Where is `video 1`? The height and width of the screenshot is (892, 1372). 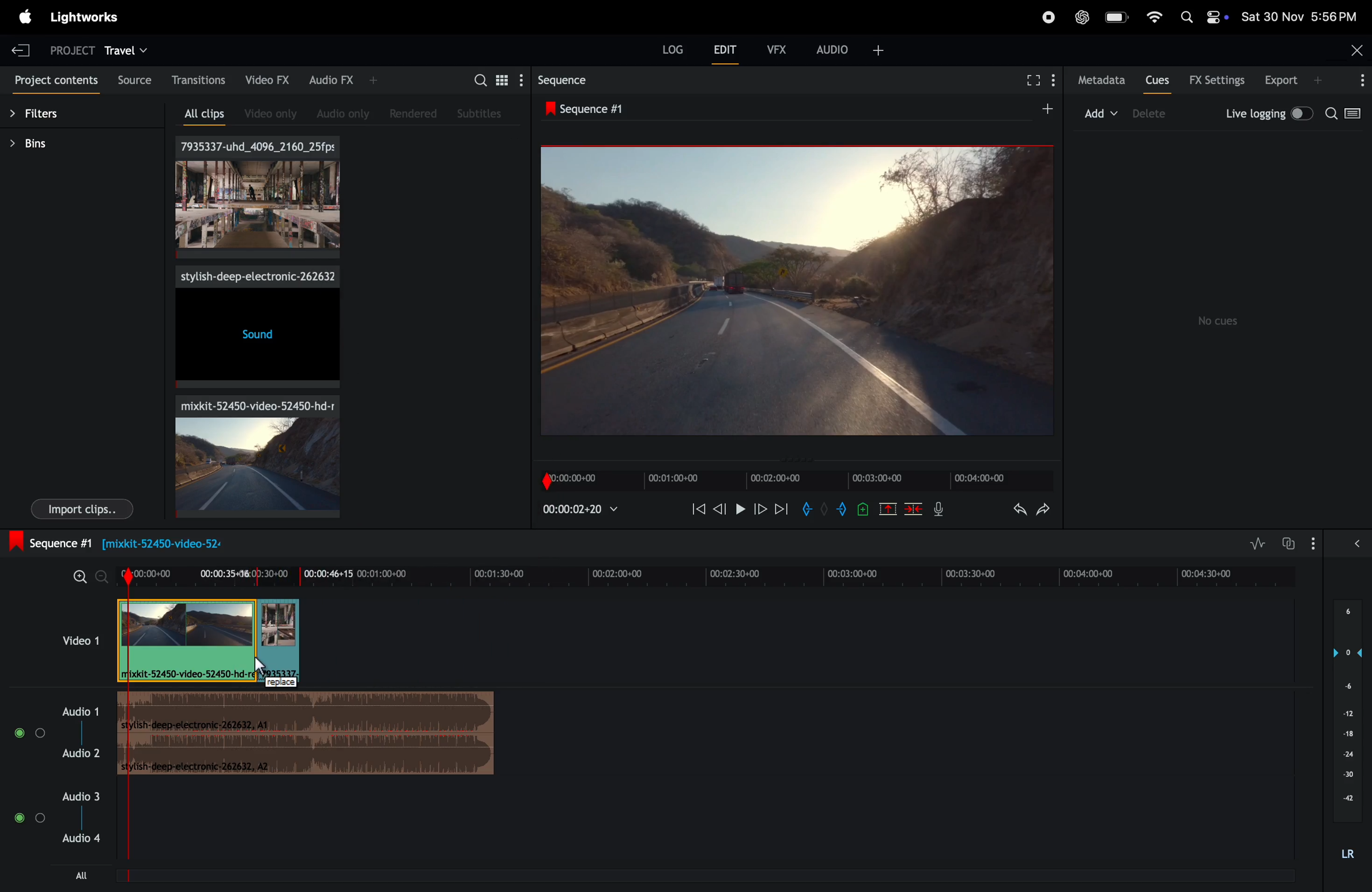
video 1 is located at coordinates (77, 639).